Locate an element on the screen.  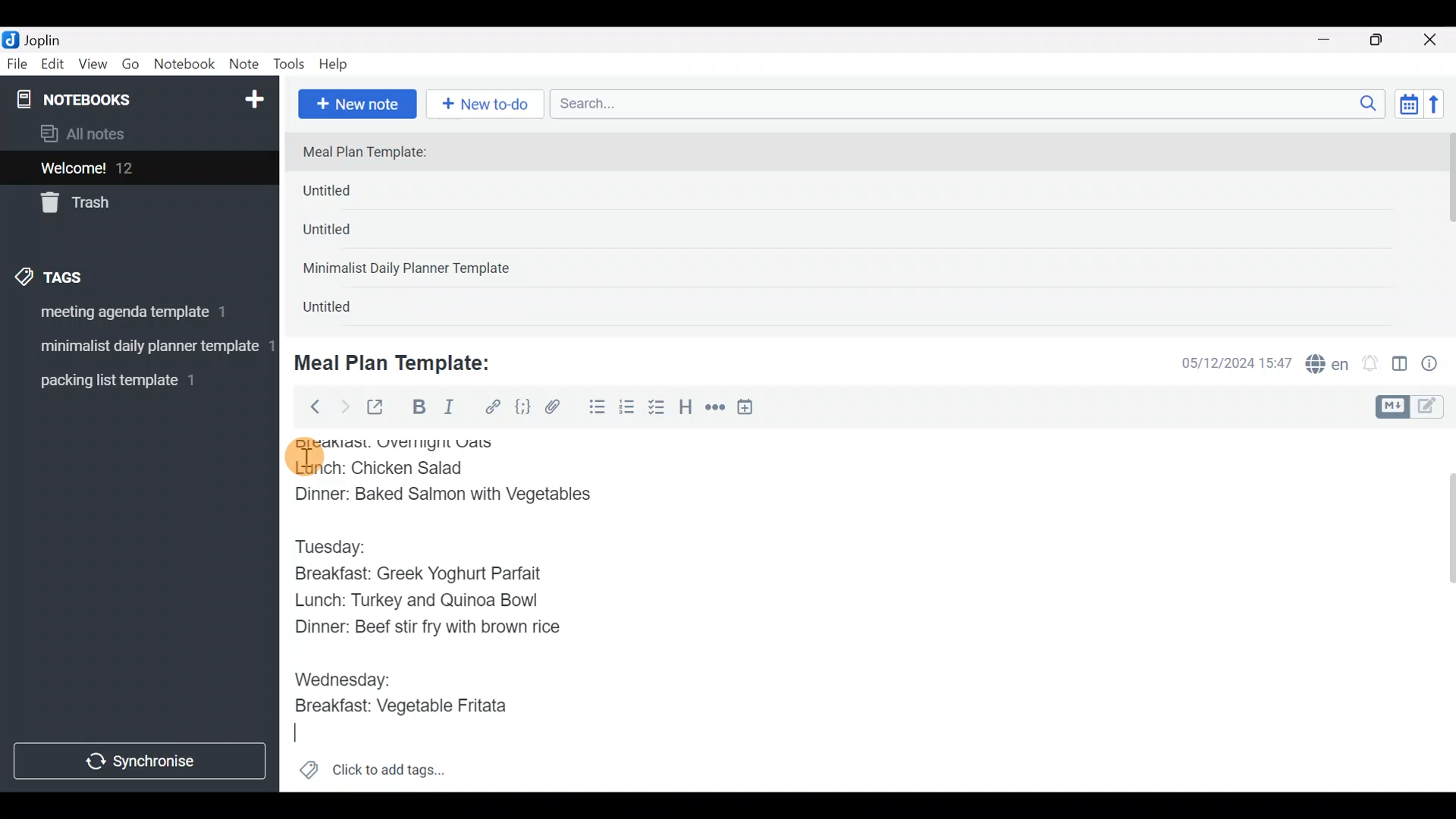
Toggle editors is located at coordinates (1414, 405).